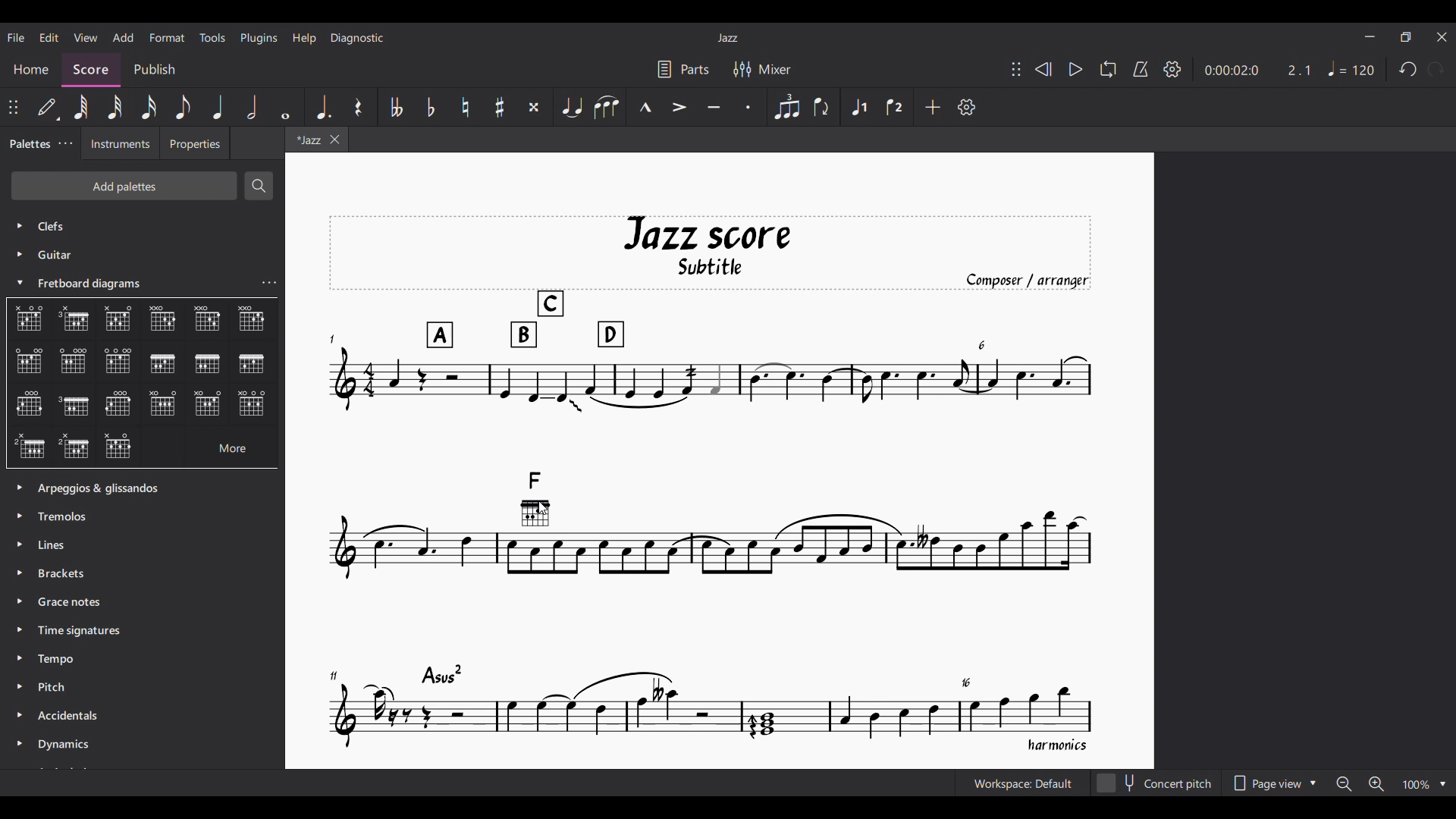 The width and height of the screenshot is (1456, 819). What do you see at coordinates (64, 689) in the screenshot?
I see `Pitch` at bounding box center [64, 689].